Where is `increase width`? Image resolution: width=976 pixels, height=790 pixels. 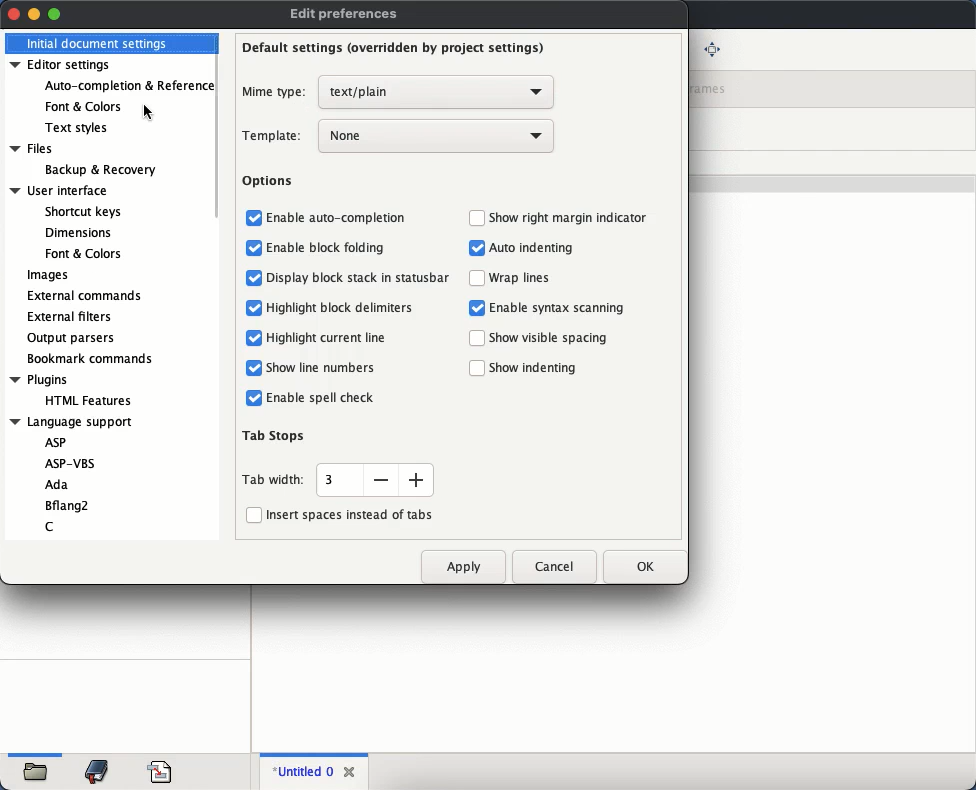 increase width is located at coordinates (417, 480).